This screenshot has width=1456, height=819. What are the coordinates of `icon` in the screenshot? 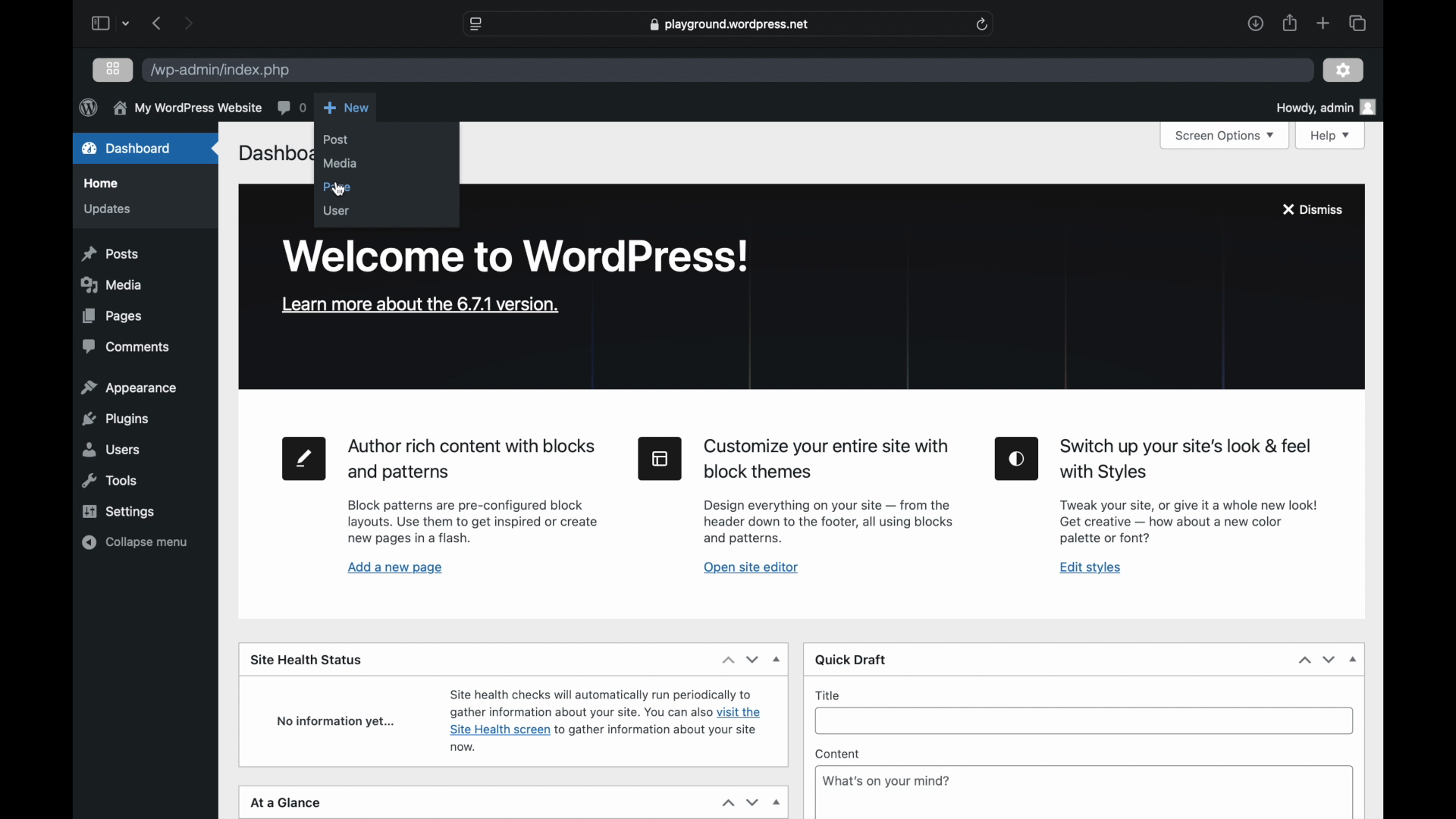 It's located at (660, 459).